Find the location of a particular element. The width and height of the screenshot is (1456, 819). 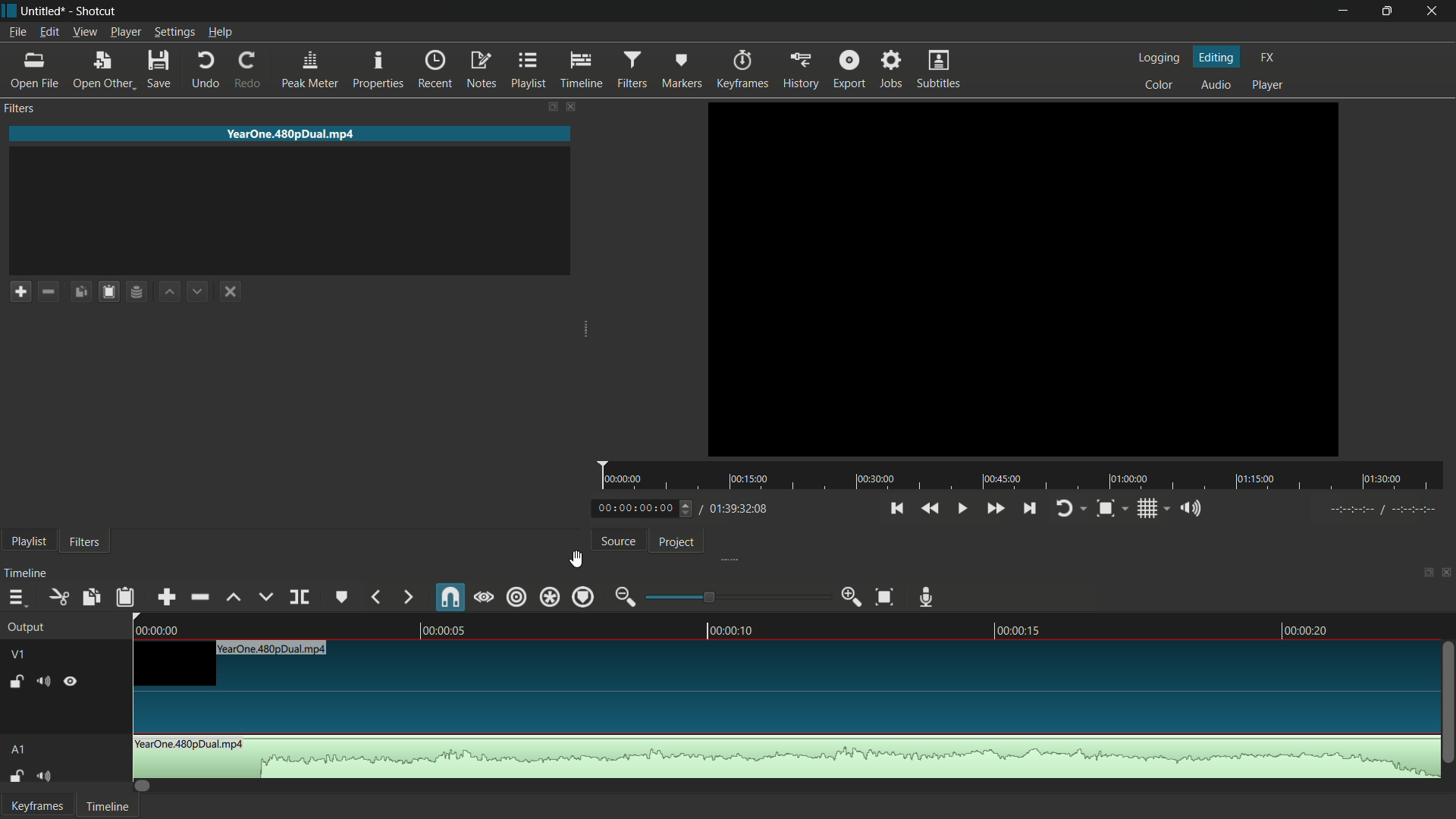

deselect the filter is located at coordinates (228, 293).